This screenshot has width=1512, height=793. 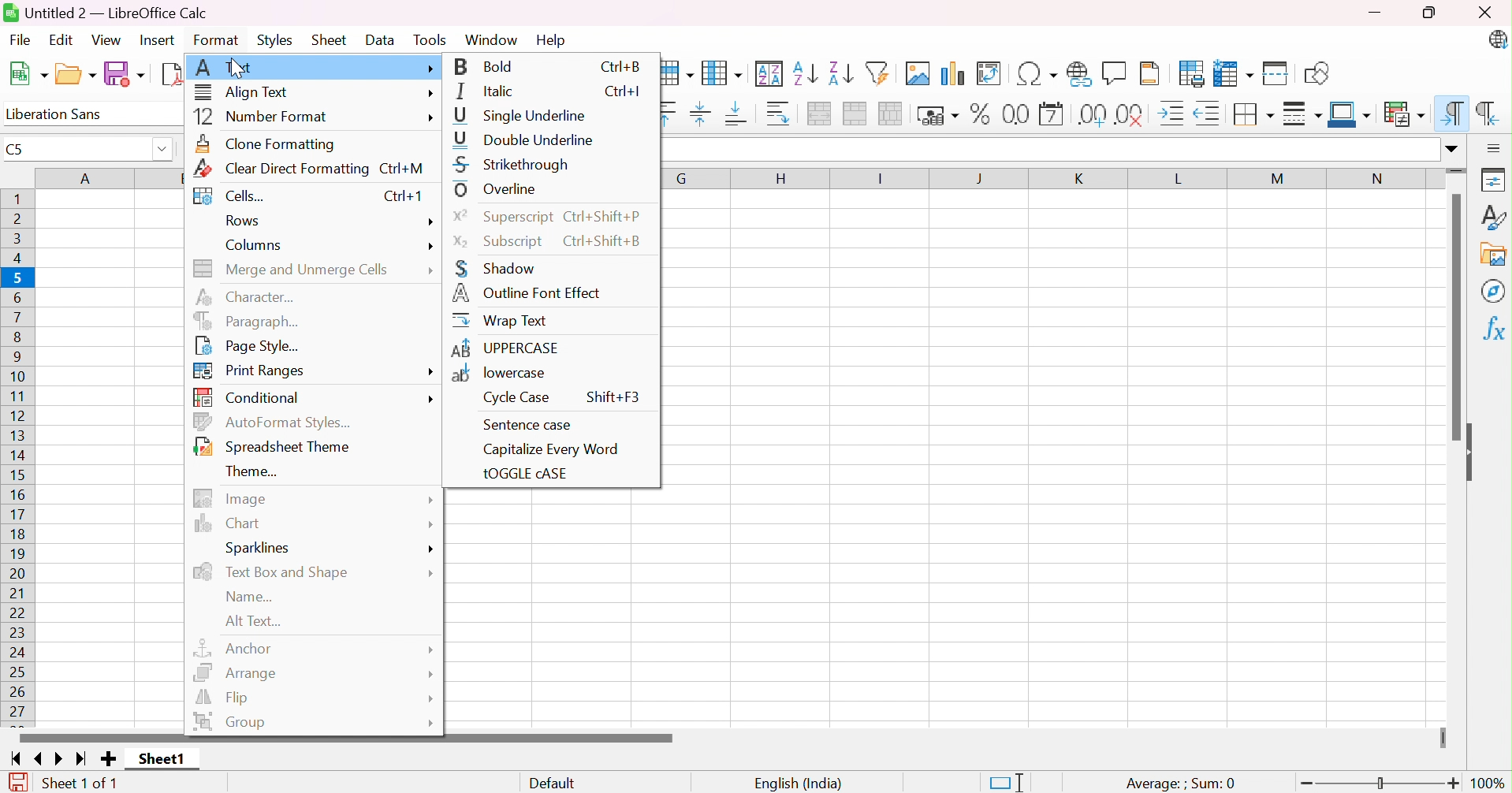 What do you see at coordinates (39, 757) in the screenshot?
I see `Scroll to previous page` at bounding box center [39, 757].